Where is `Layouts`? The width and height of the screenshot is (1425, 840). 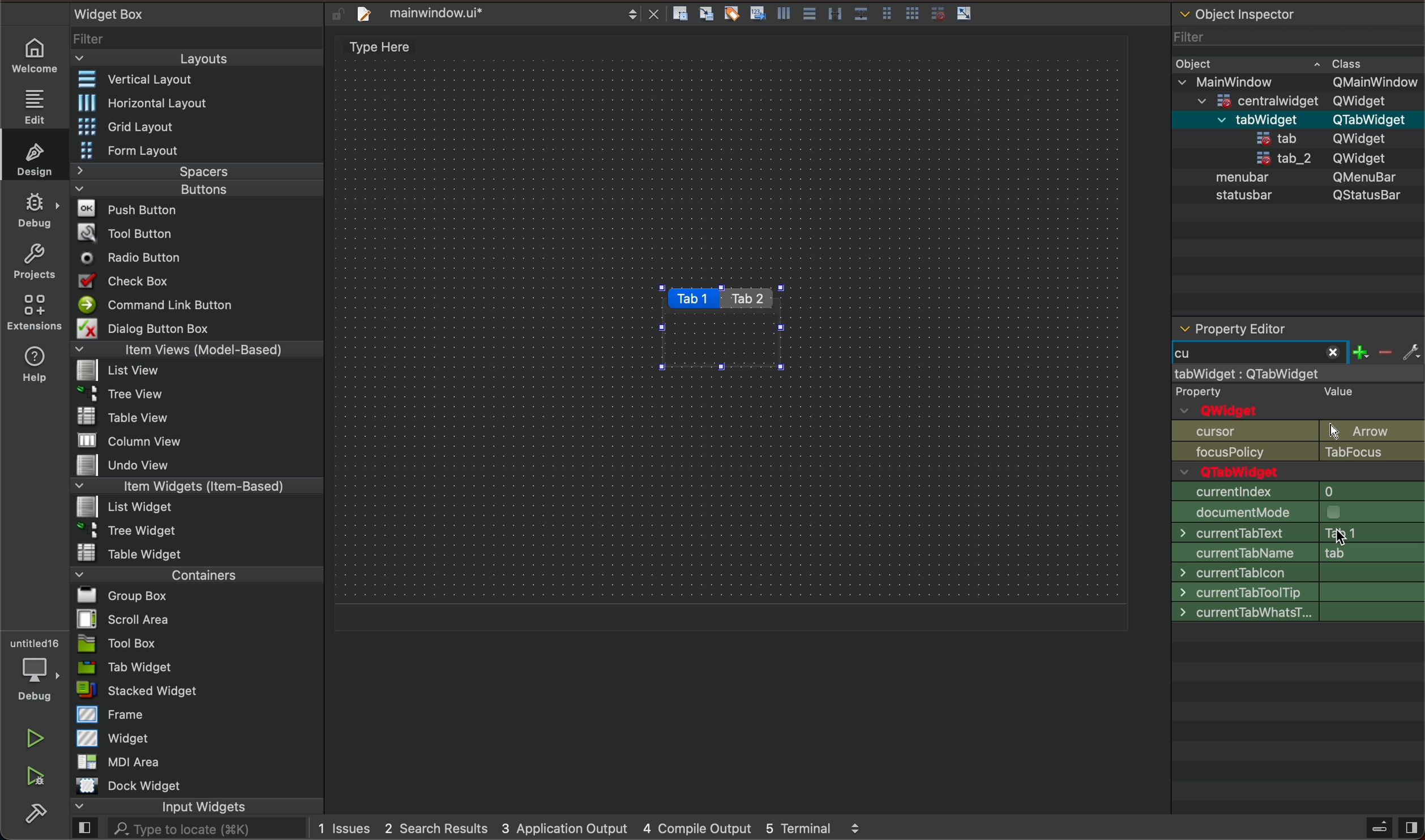
Layouts is located at coordinates (198, 58).